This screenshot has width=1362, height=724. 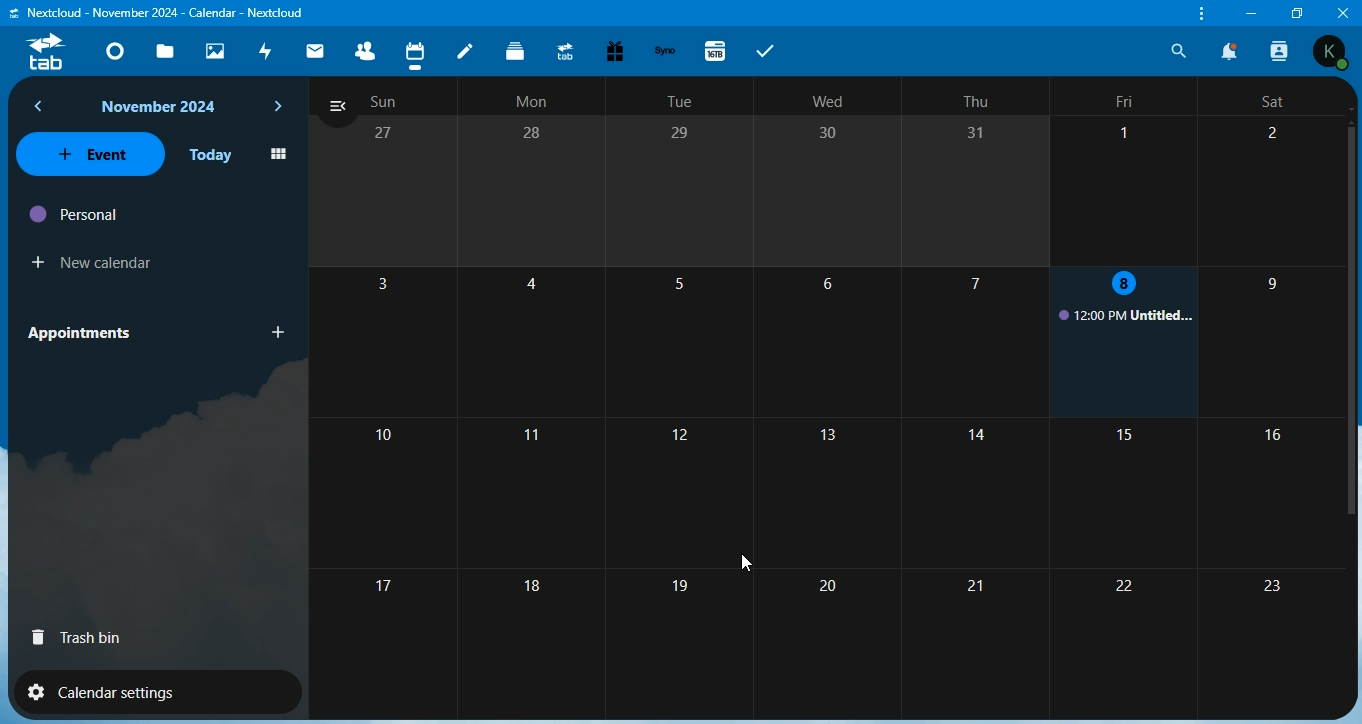 I want to click on free trial, so click(x=615, y=49).